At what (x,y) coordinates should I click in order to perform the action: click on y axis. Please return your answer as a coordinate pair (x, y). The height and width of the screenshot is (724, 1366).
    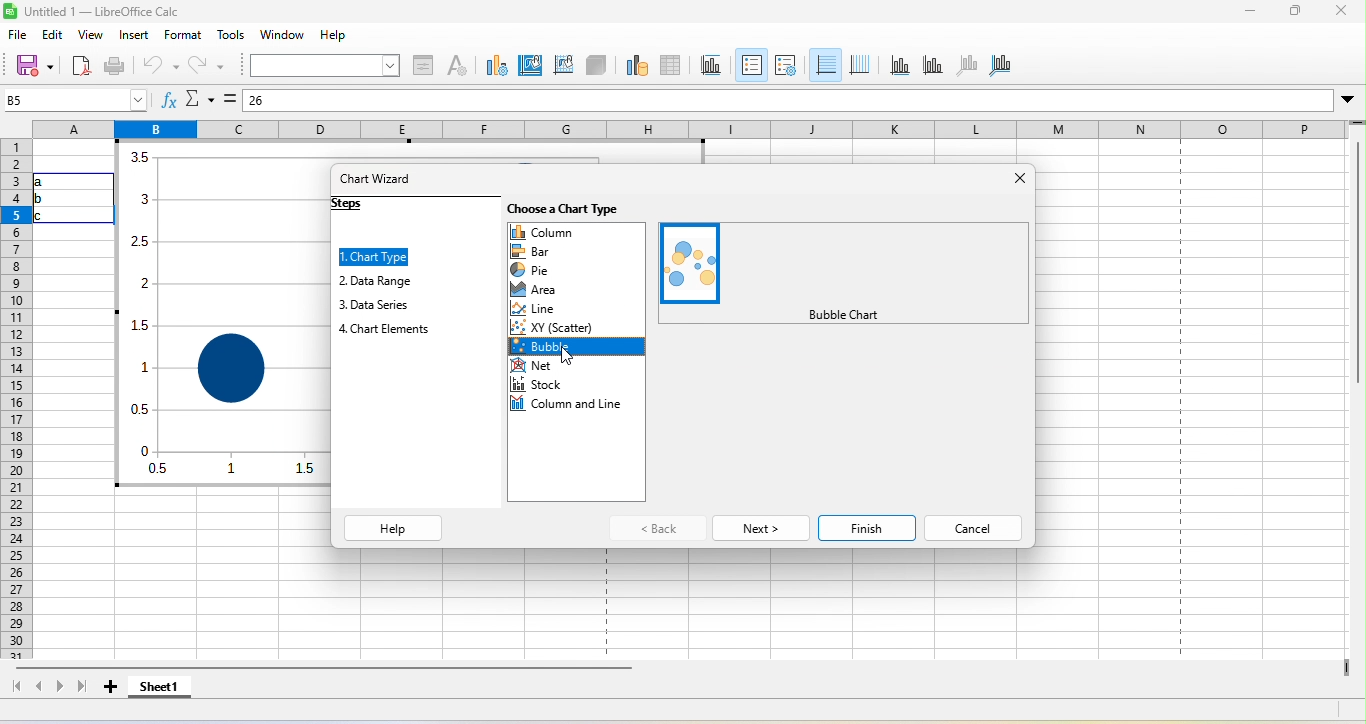
    Looking at the image, I should click on (927, 66).